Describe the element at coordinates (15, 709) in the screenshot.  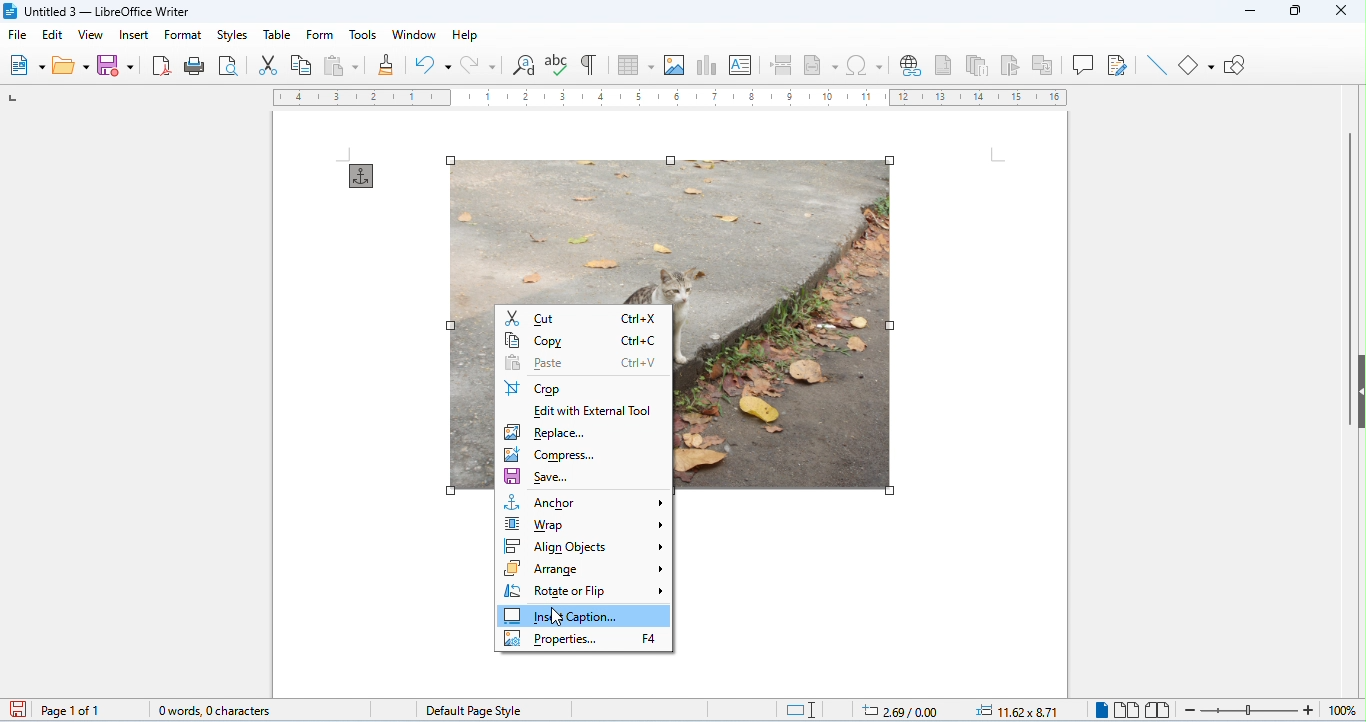
I see `save` at that location.